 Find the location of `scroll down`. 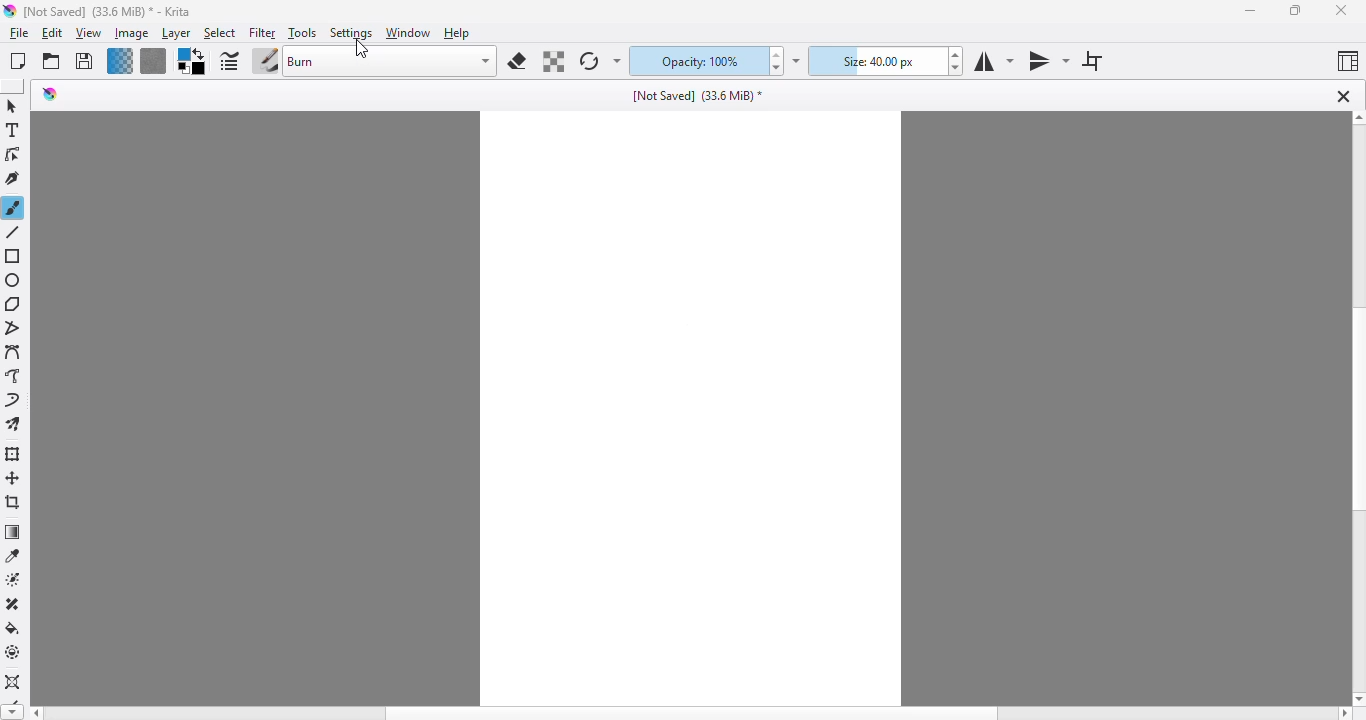

scroll down is located at coordinates (10, 713).